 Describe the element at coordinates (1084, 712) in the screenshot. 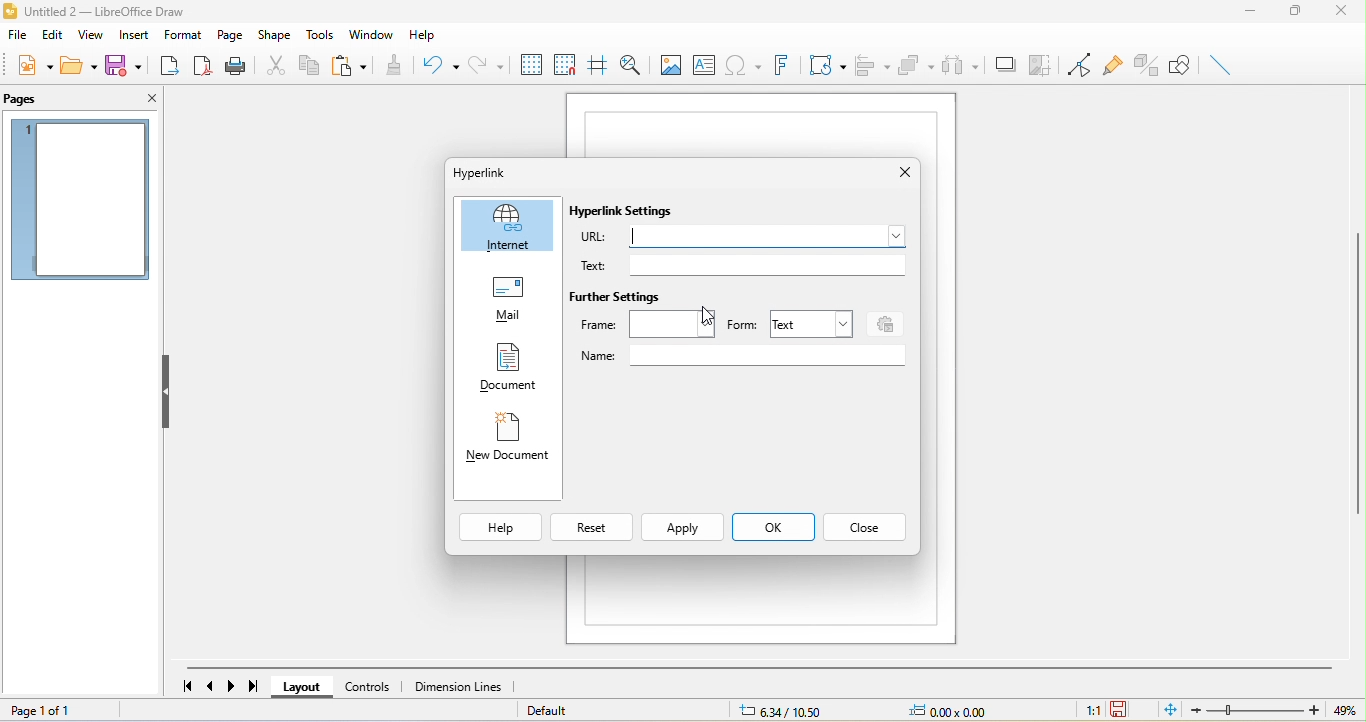

I see `1:1` at that location.